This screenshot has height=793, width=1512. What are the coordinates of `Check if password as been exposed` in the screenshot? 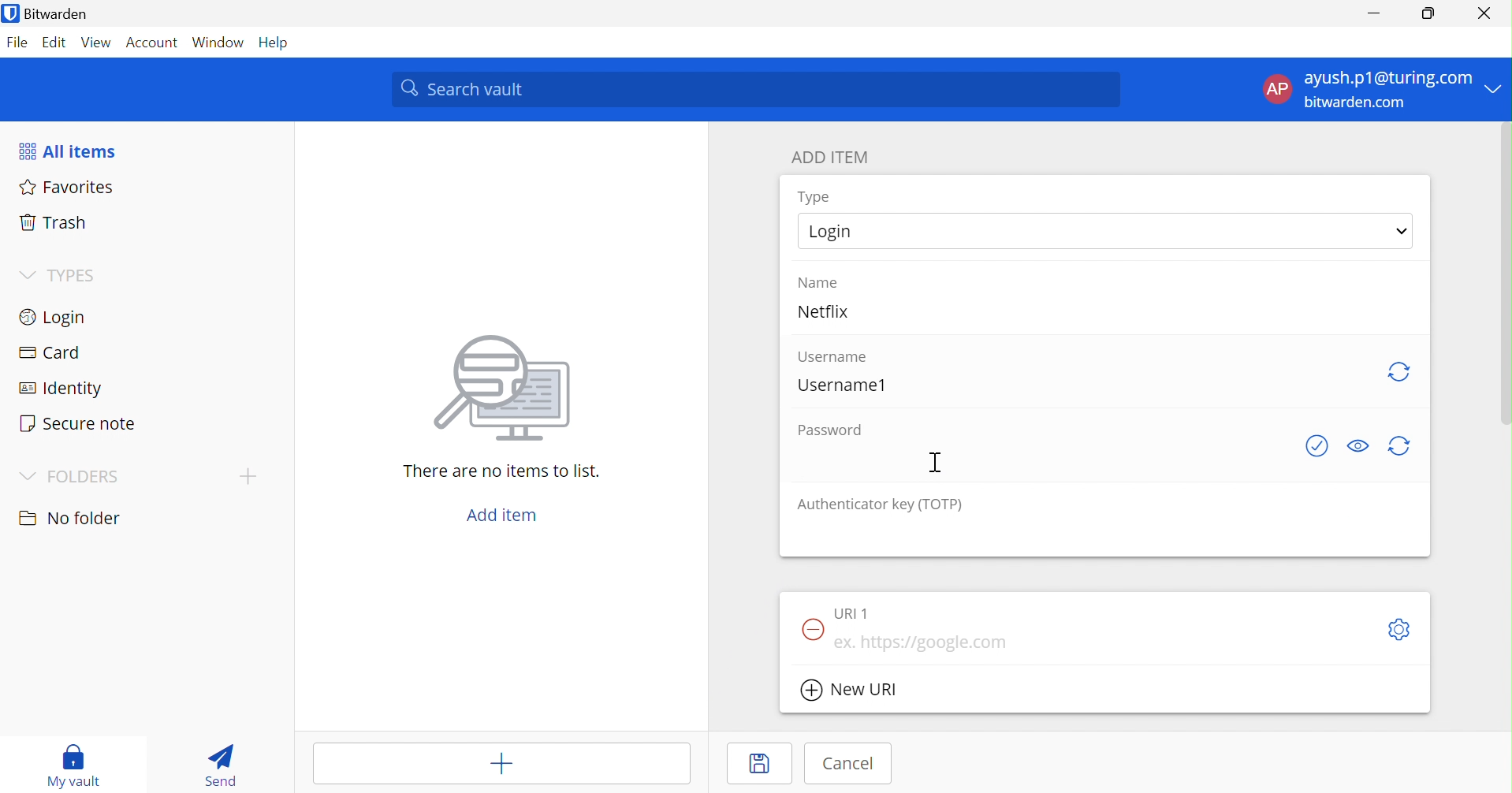 It's located at (1316, 446).